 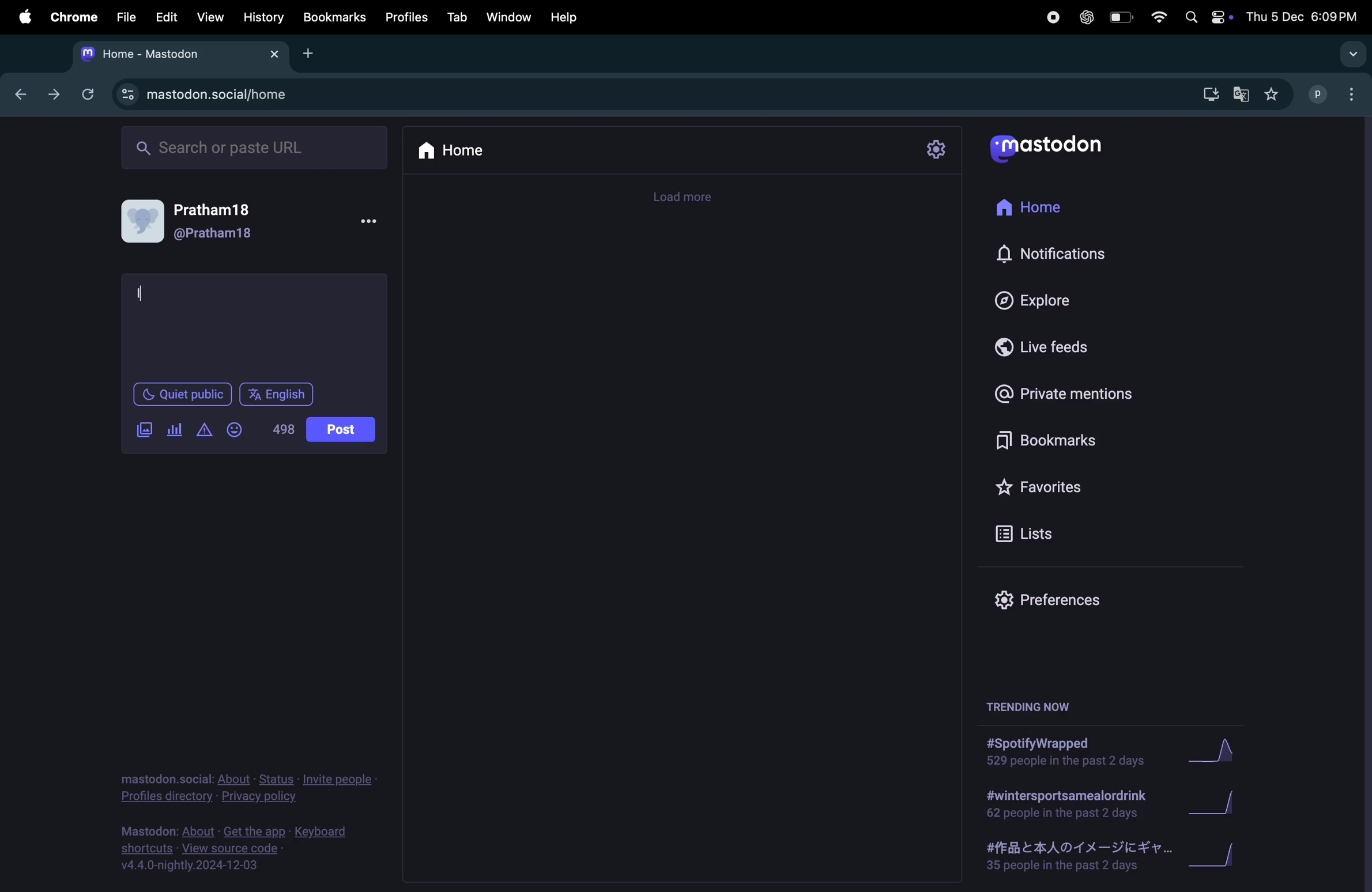 What do you see at coordinates (1041, 206) in the screenshot?
I see `home` at bounding box center [1041, 206].